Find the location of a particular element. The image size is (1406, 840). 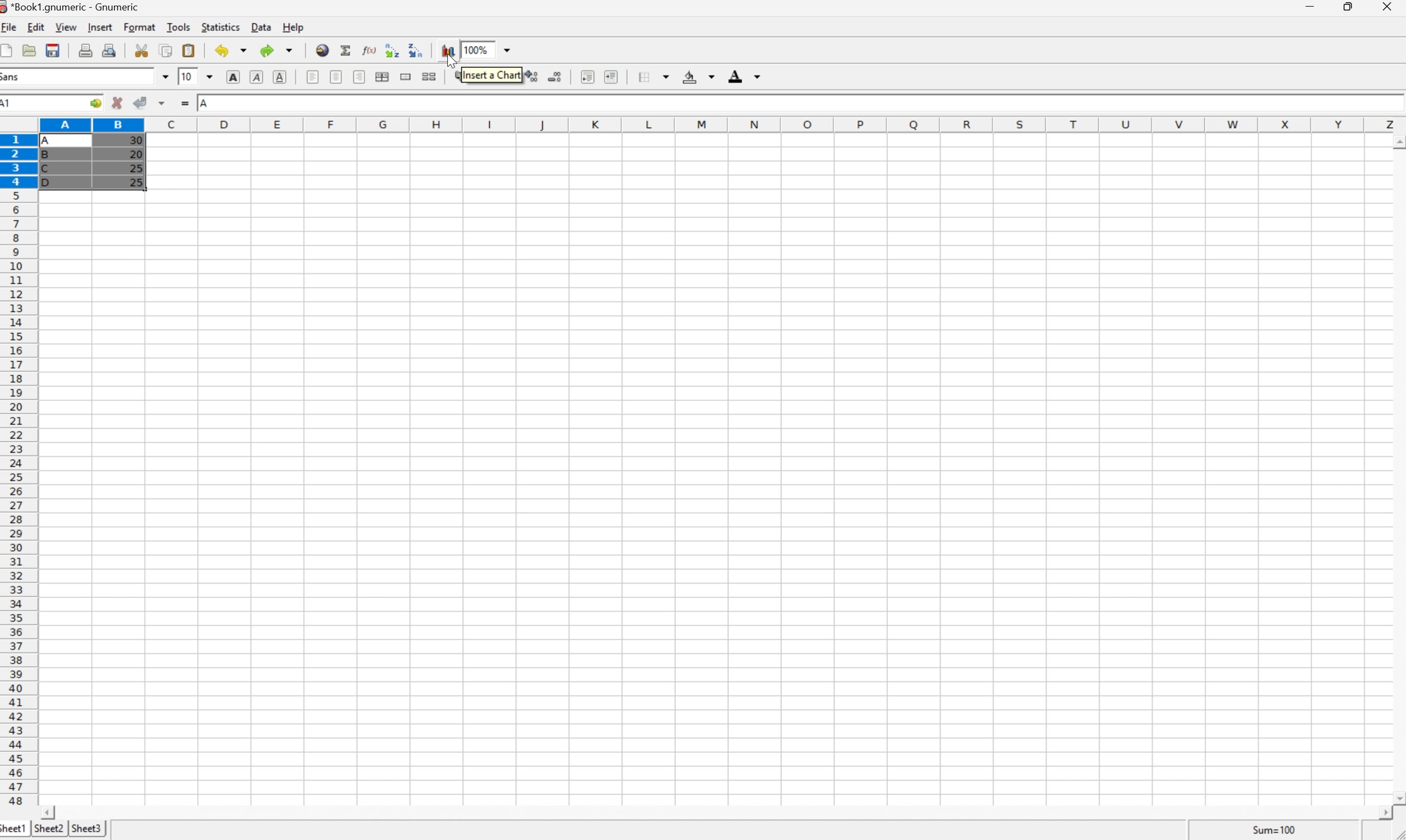

Accept changes in multiple cells is located at coordinates (163, 101).